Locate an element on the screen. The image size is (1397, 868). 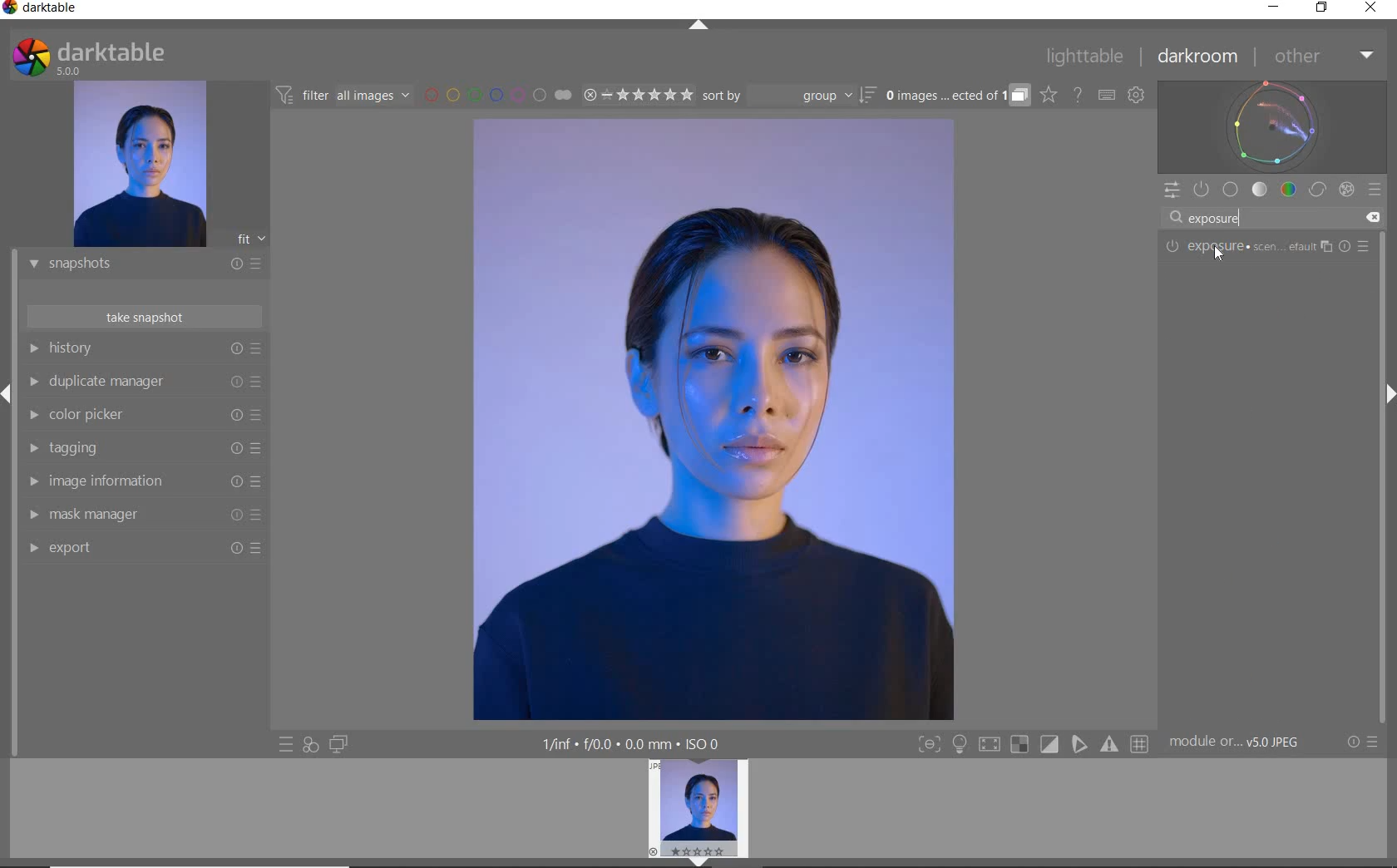
Button is located at coordinates (1141, 745).